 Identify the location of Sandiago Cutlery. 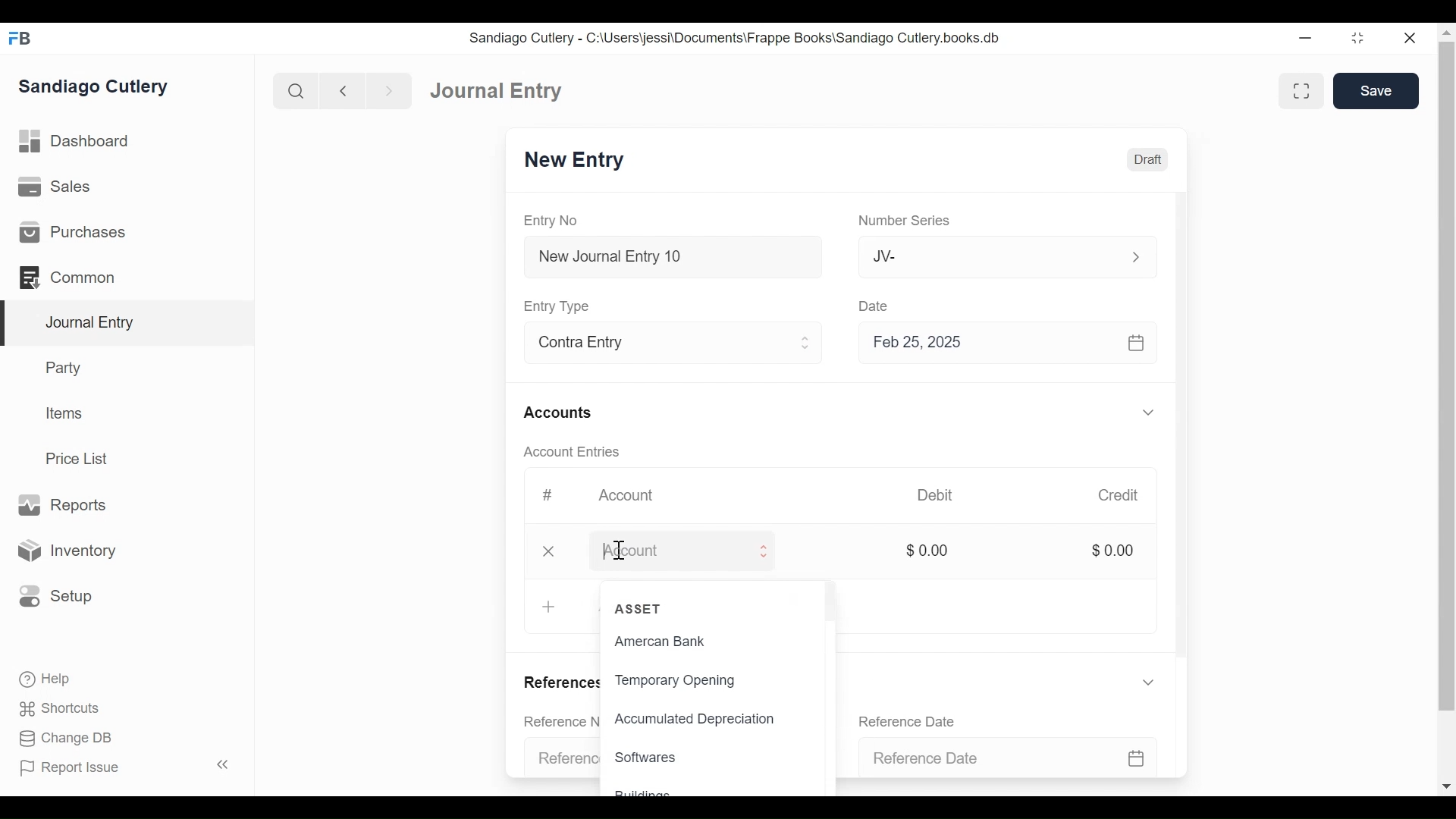
(94, 87).